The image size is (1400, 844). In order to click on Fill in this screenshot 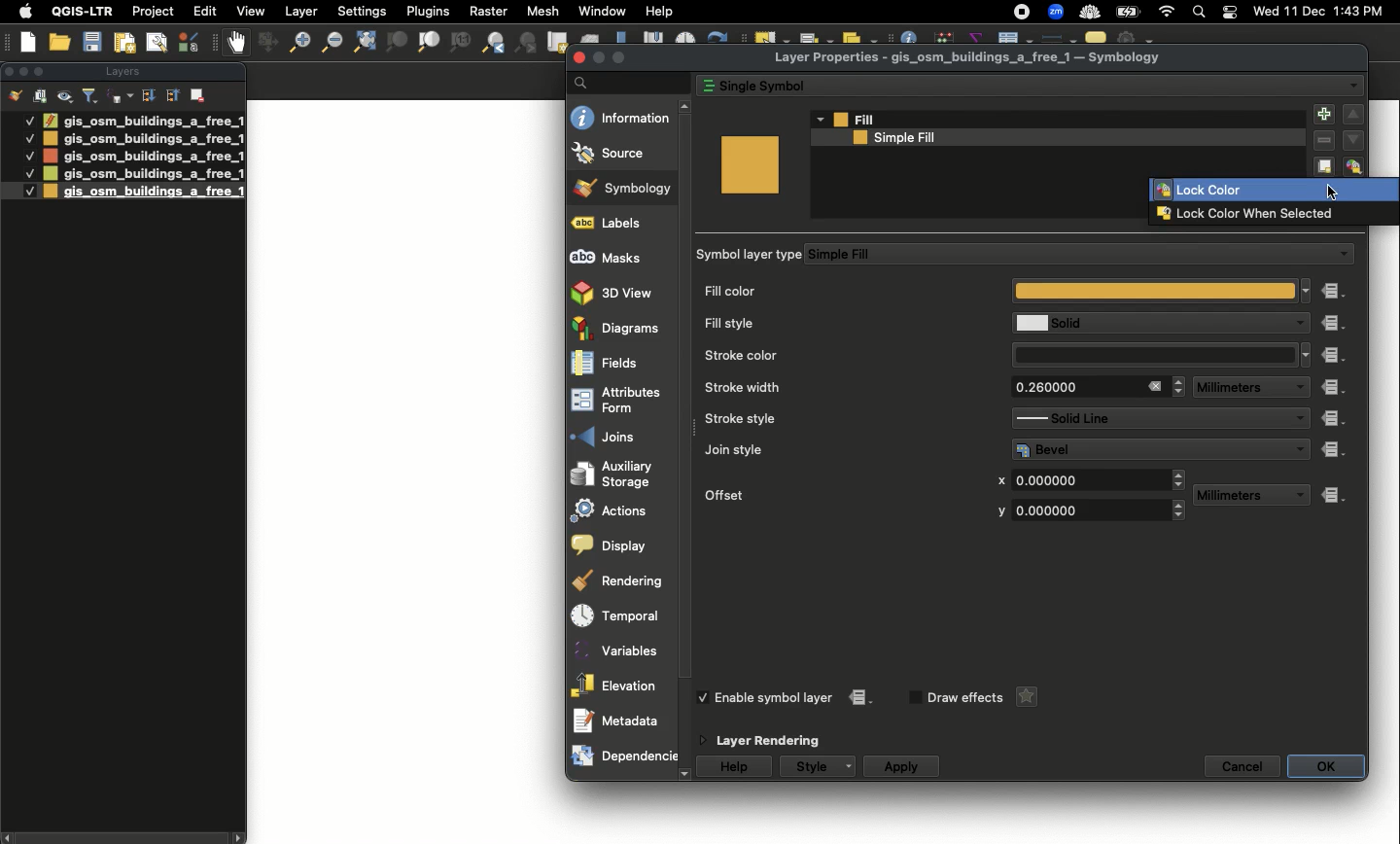, I will do `click(1059, 120)`.